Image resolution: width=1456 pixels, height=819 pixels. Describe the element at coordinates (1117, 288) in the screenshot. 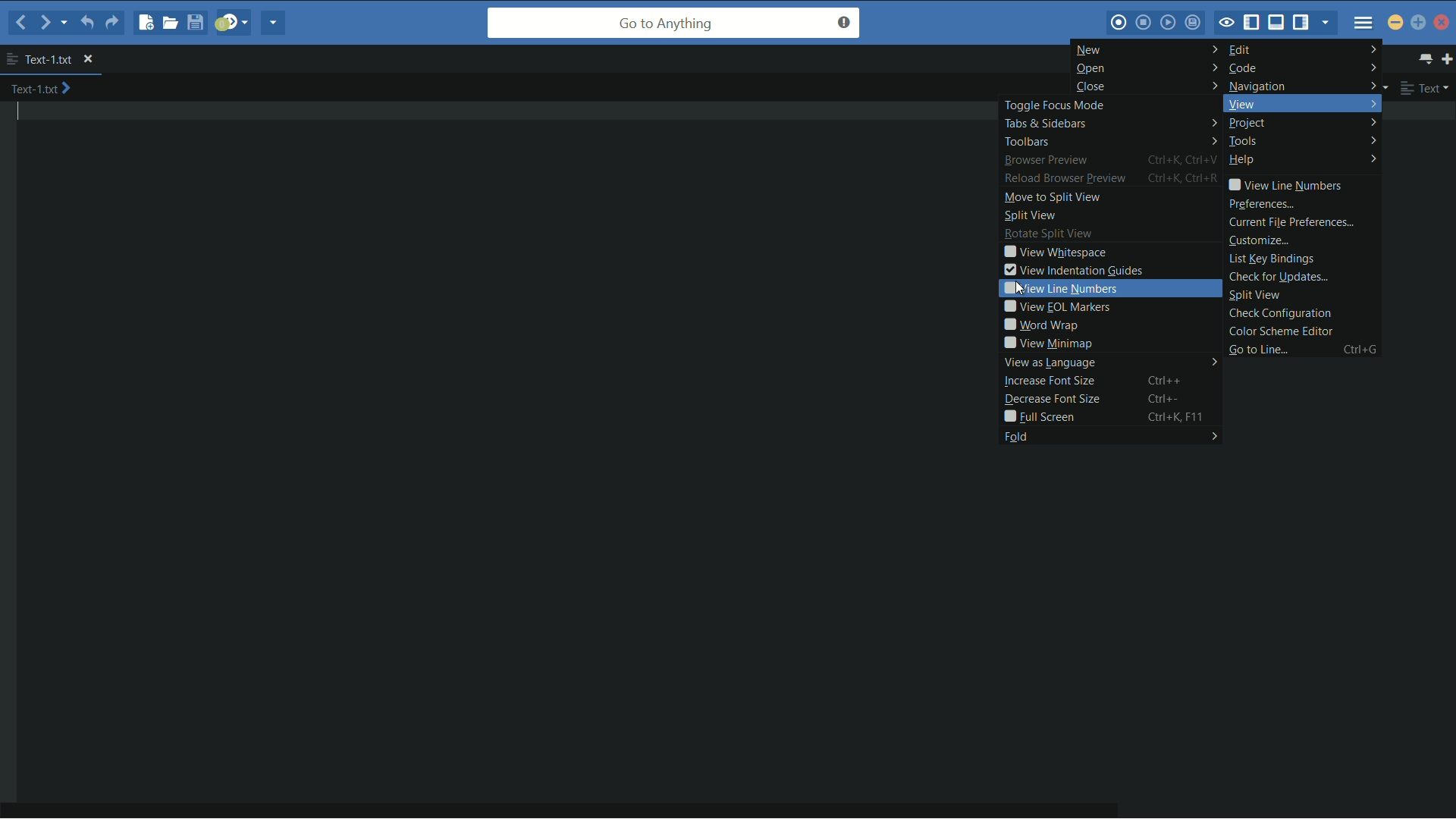

I see `view line numbers` at that location.